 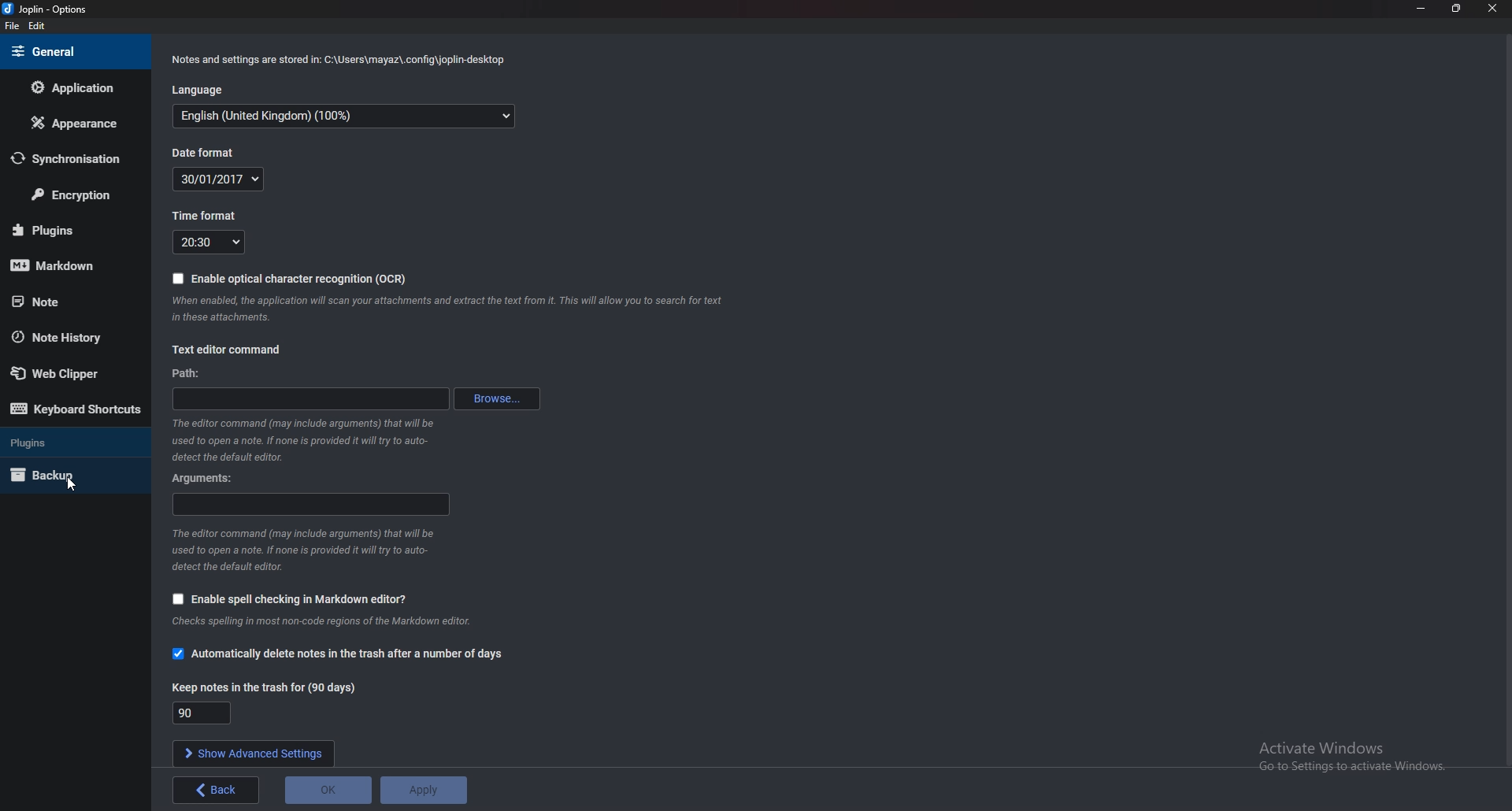 What do you see at coordinates (63, 441) in the screenshot?
I see `Plugins` at bounding box center [63, 441].